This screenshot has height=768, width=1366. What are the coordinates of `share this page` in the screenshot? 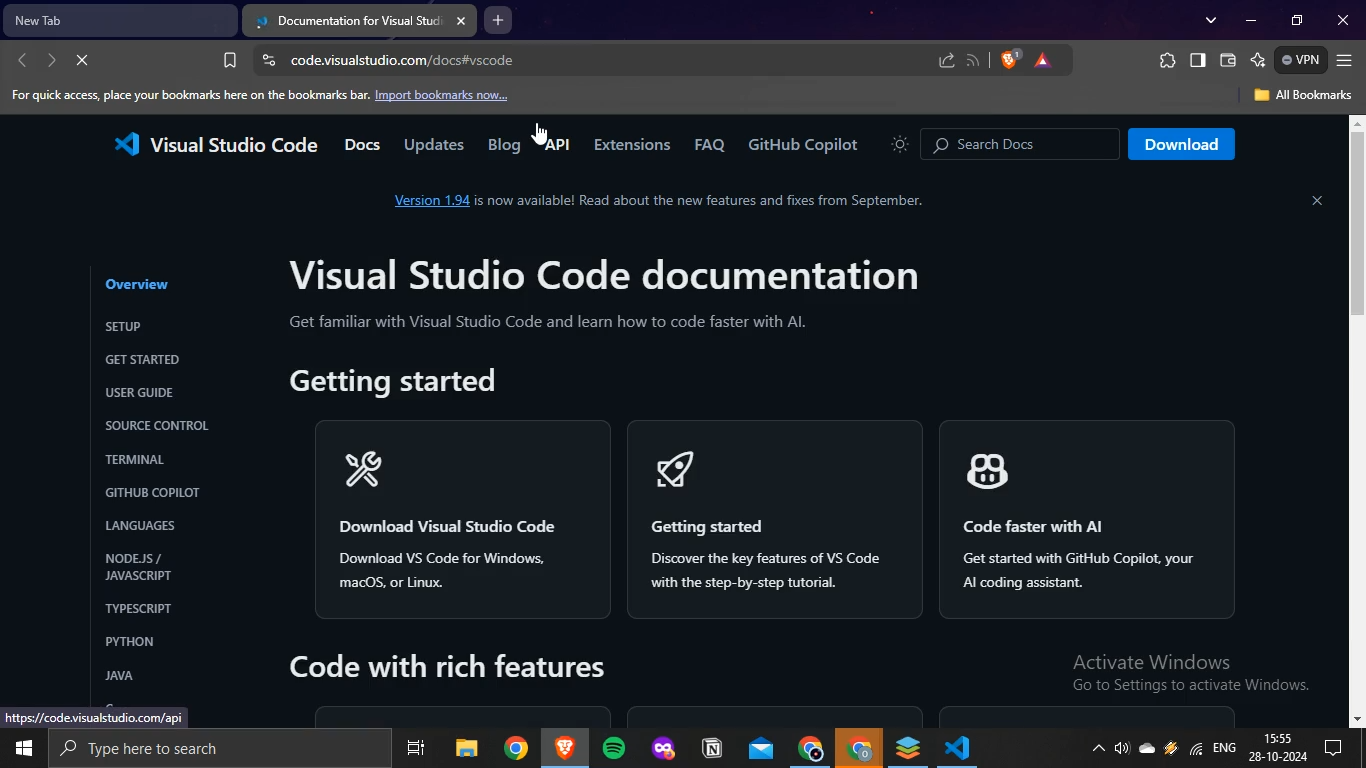 It's located at (947, 60).